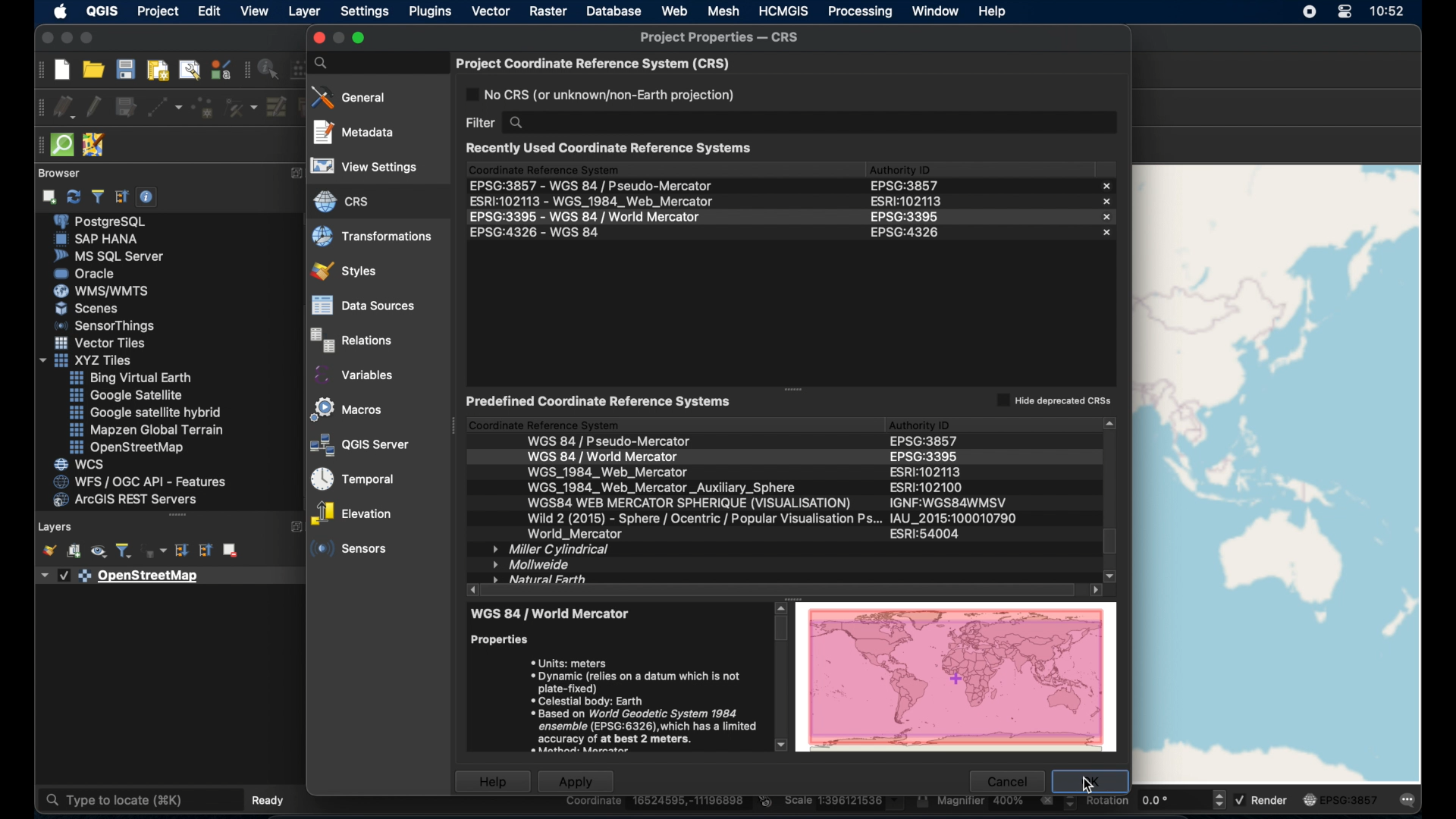  What do you see at coordinates (602, 402) in the screenshot?
I see `predefined coordinate reference system` at bounding box center [602, 402].